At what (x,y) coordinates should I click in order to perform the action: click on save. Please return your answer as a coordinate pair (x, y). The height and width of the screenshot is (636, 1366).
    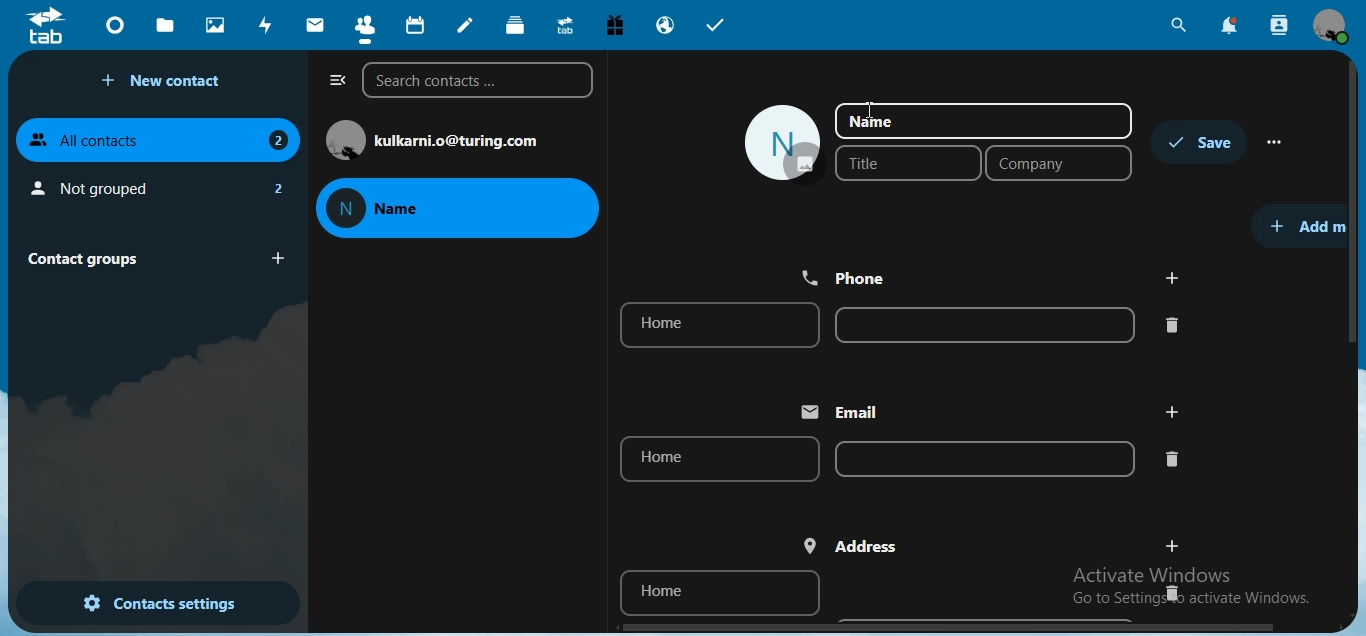
    Looking at the image, I should click on (1202, 142).